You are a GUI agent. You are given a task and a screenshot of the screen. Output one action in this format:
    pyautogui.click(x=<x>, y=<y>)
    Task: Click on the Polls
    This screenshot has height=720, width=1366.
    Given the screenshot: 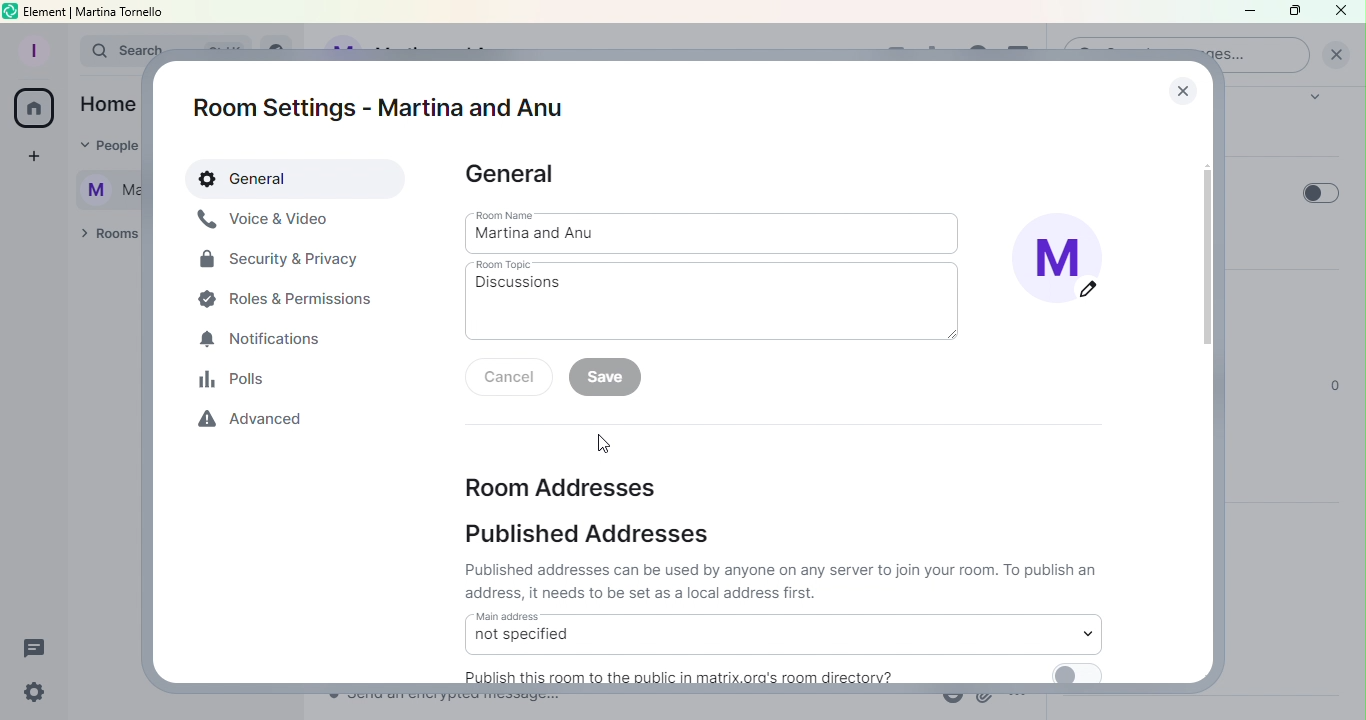 What is the action you would take?
    pyautogui.click(x=239, y=379)
    